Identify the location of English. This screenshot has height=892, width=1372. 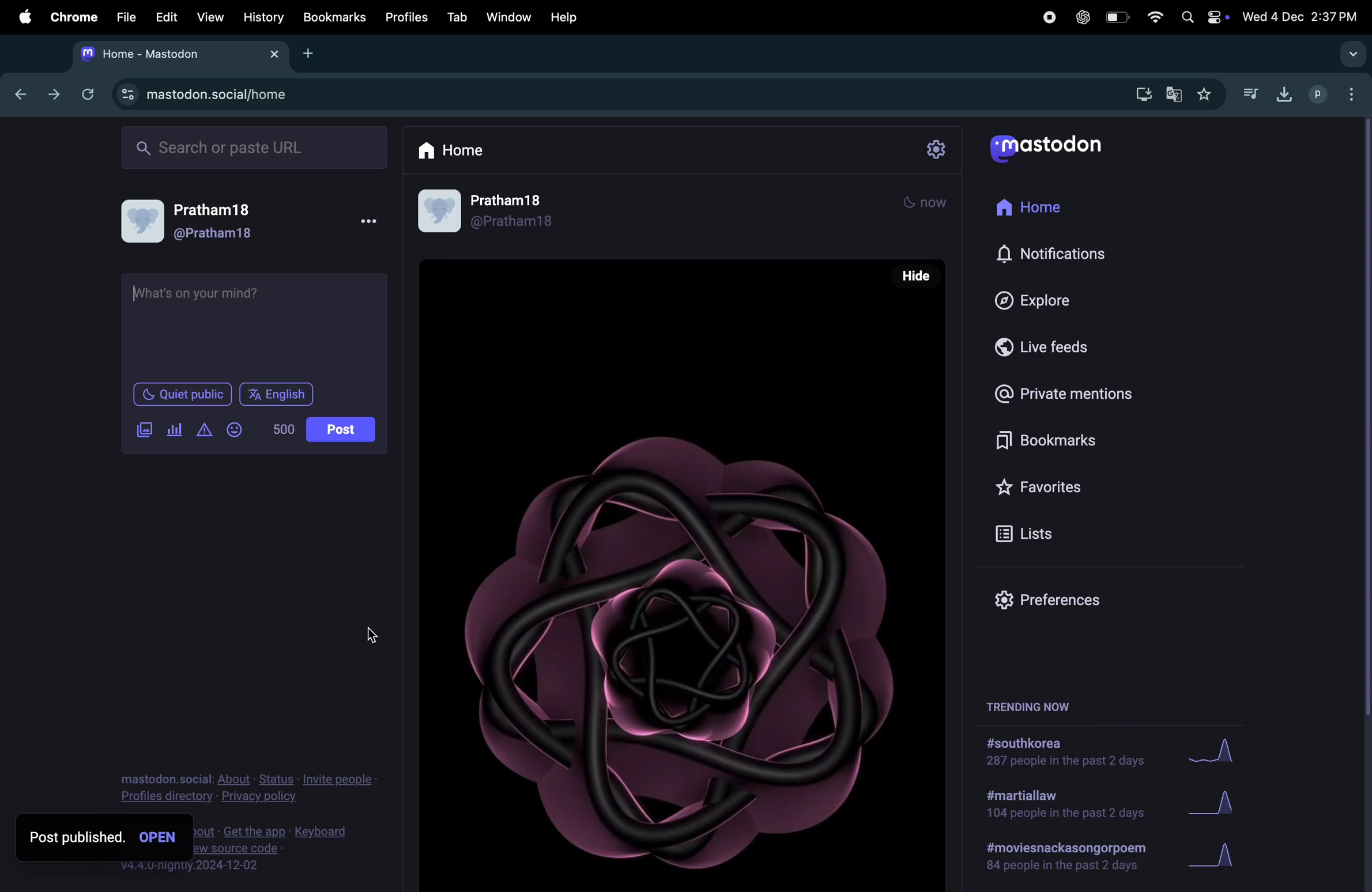
(276, 394).